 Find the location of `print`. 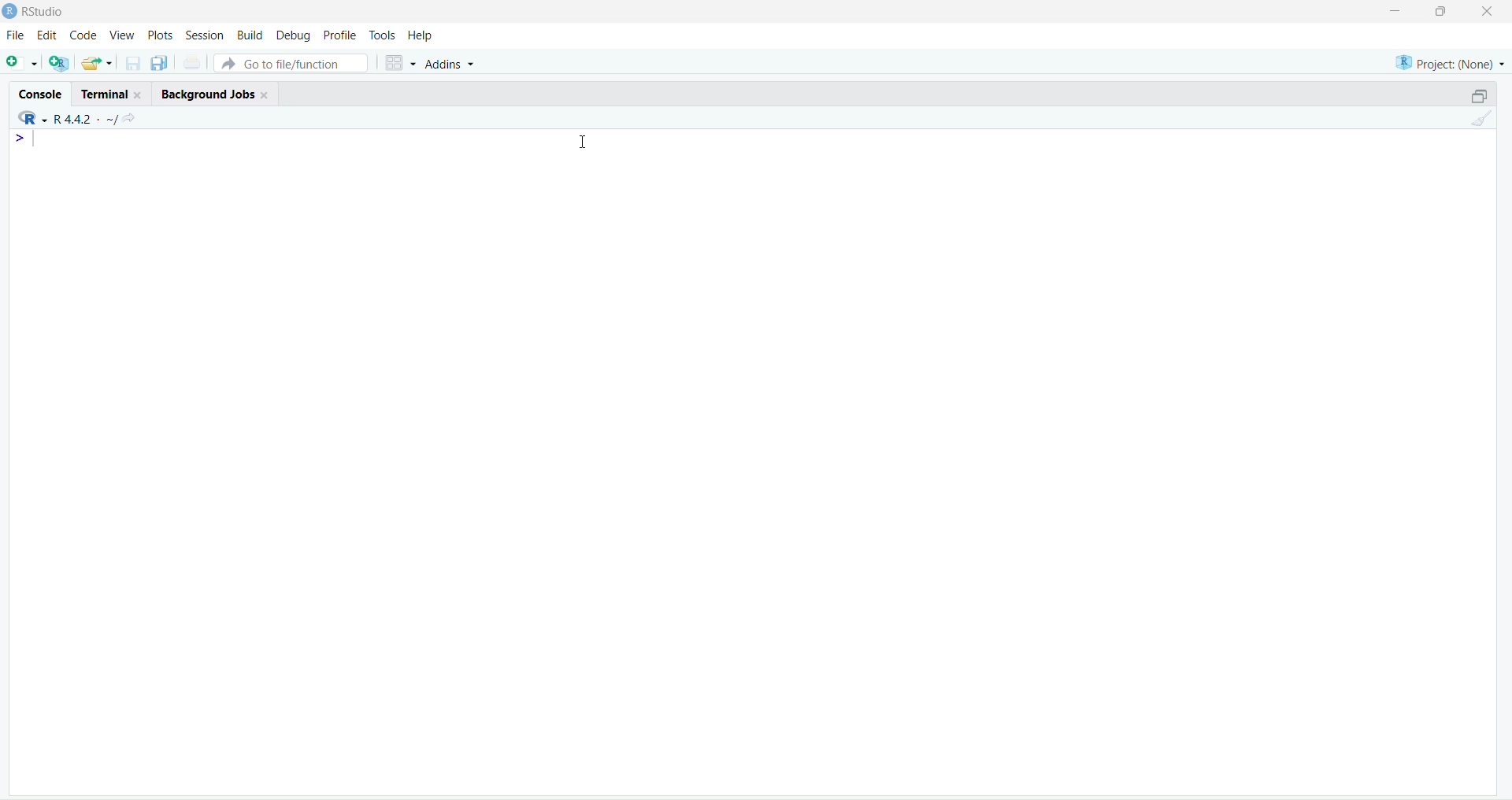

print is located at coordinates (191, 61).